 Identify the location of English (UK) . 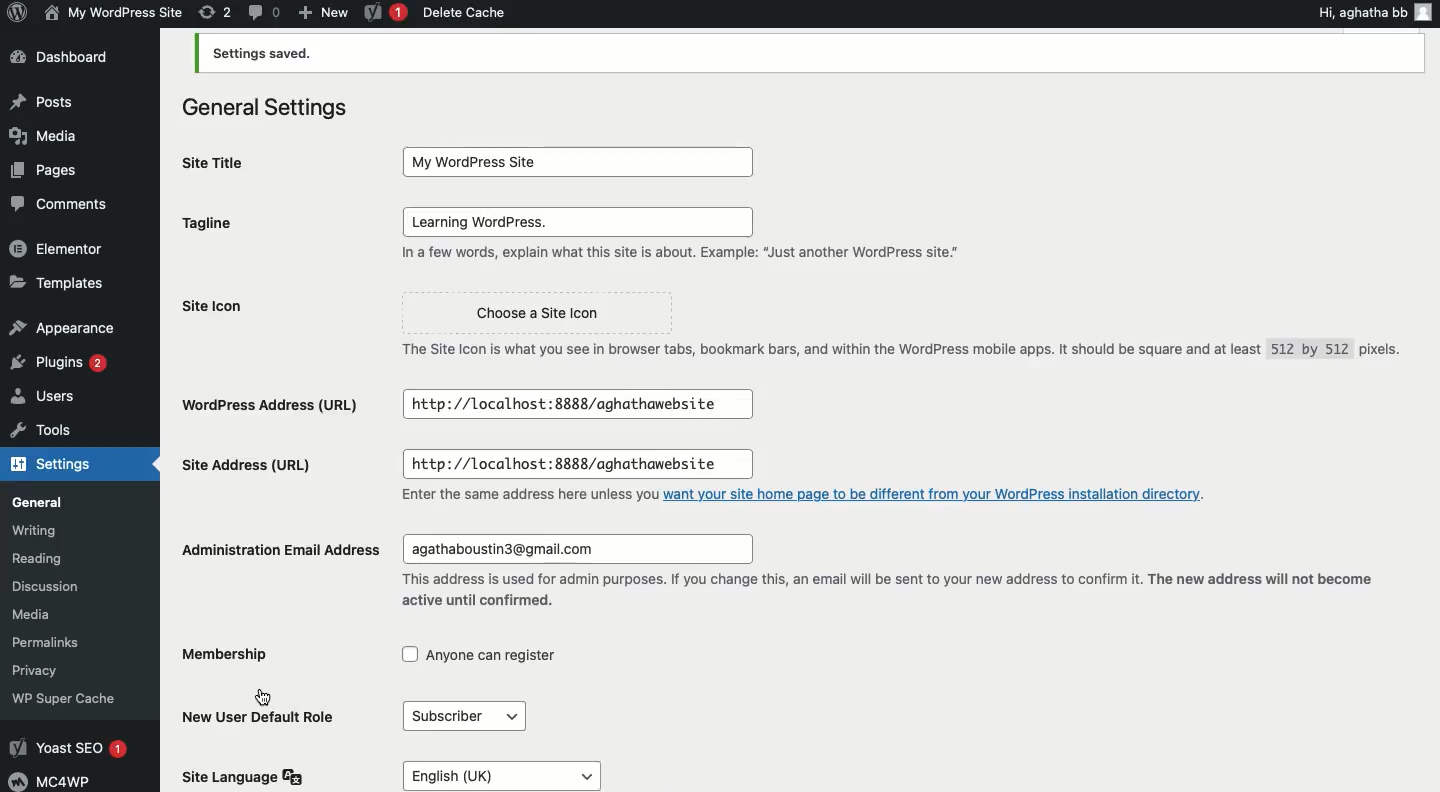
(556, 772).